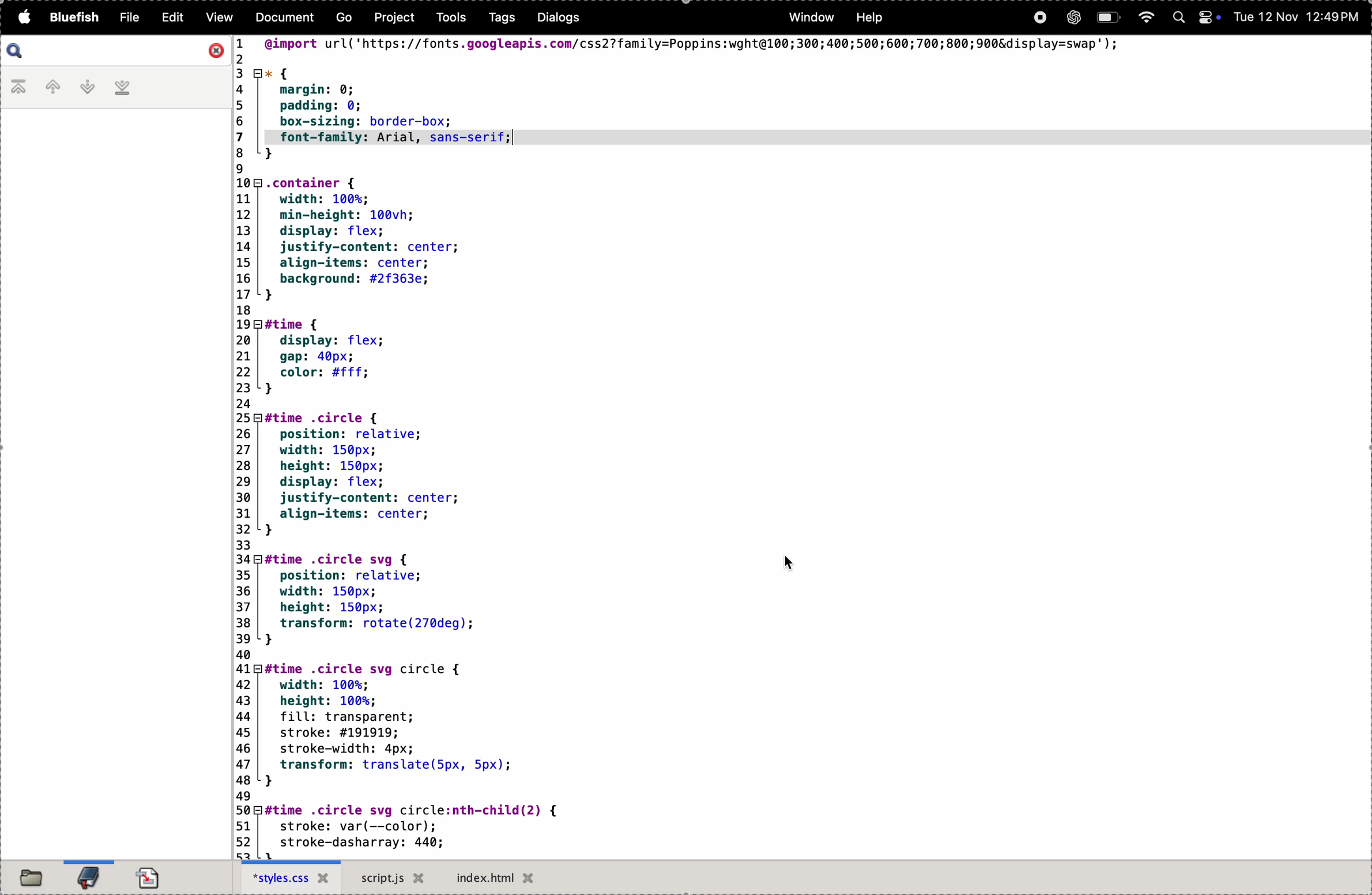  I want to click on bookmarks, so click(87, 875).